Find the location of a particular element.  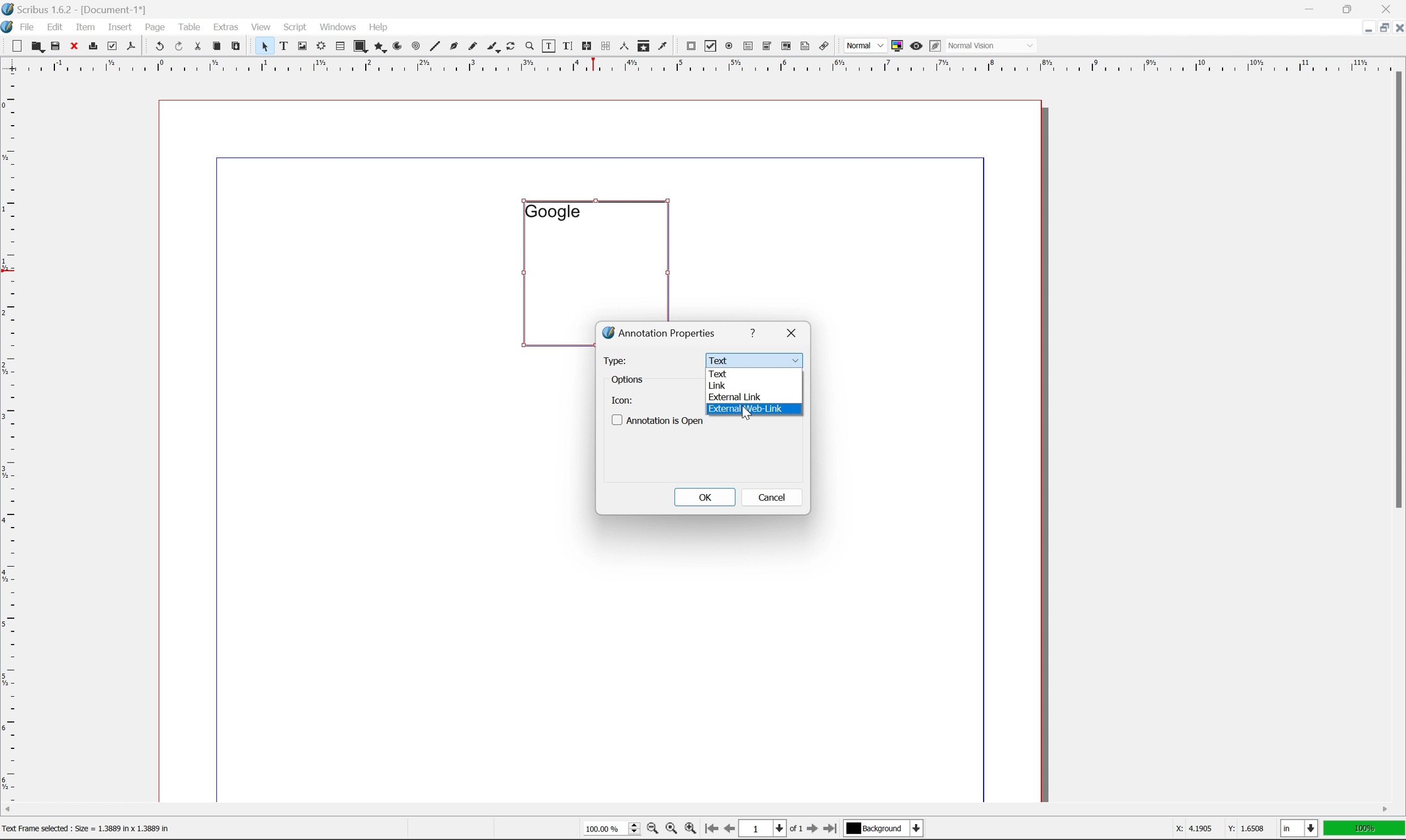

restore down is located at coordinates (1351, 8).